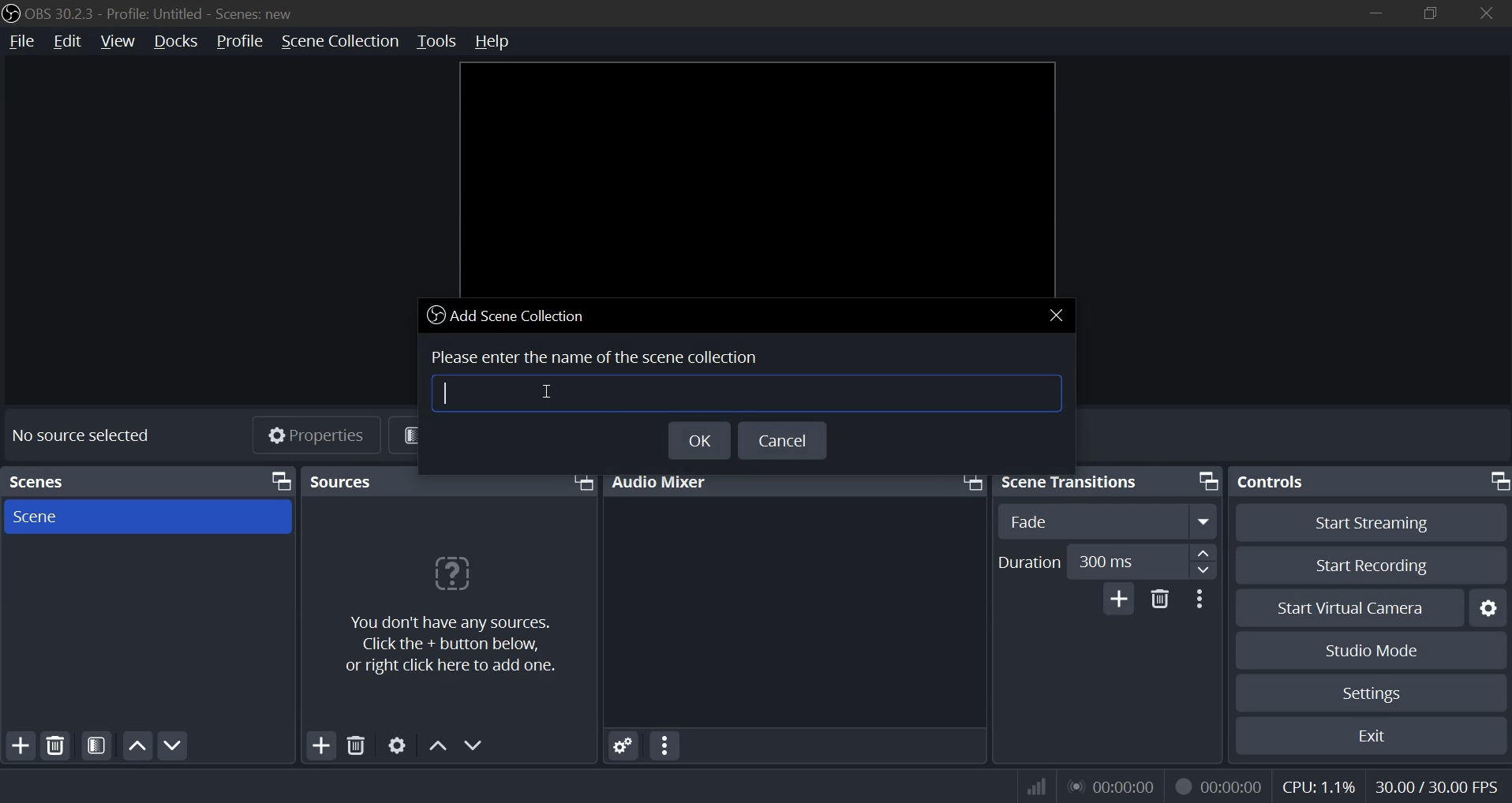  I want to click on cancel, so click(781, 440).